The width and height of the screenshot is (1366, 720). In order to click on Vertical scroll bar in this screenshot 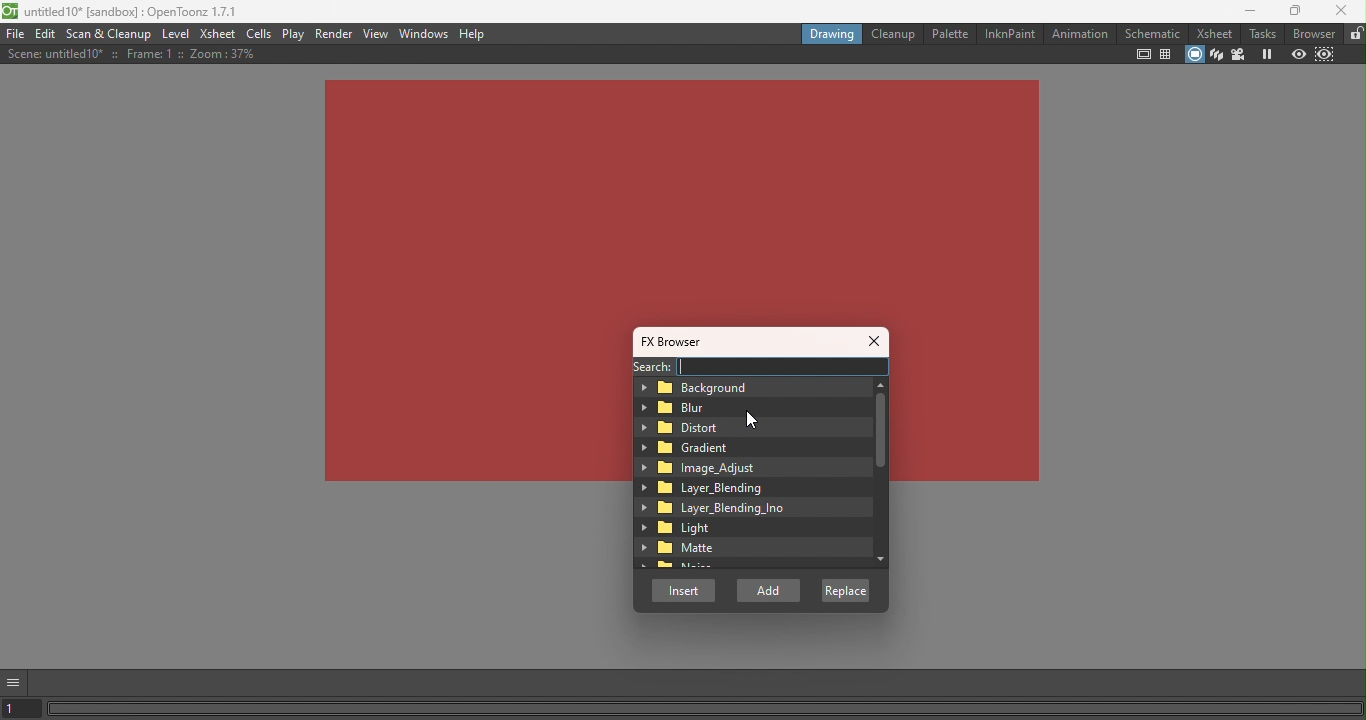, I will do `click(880, 471)`.